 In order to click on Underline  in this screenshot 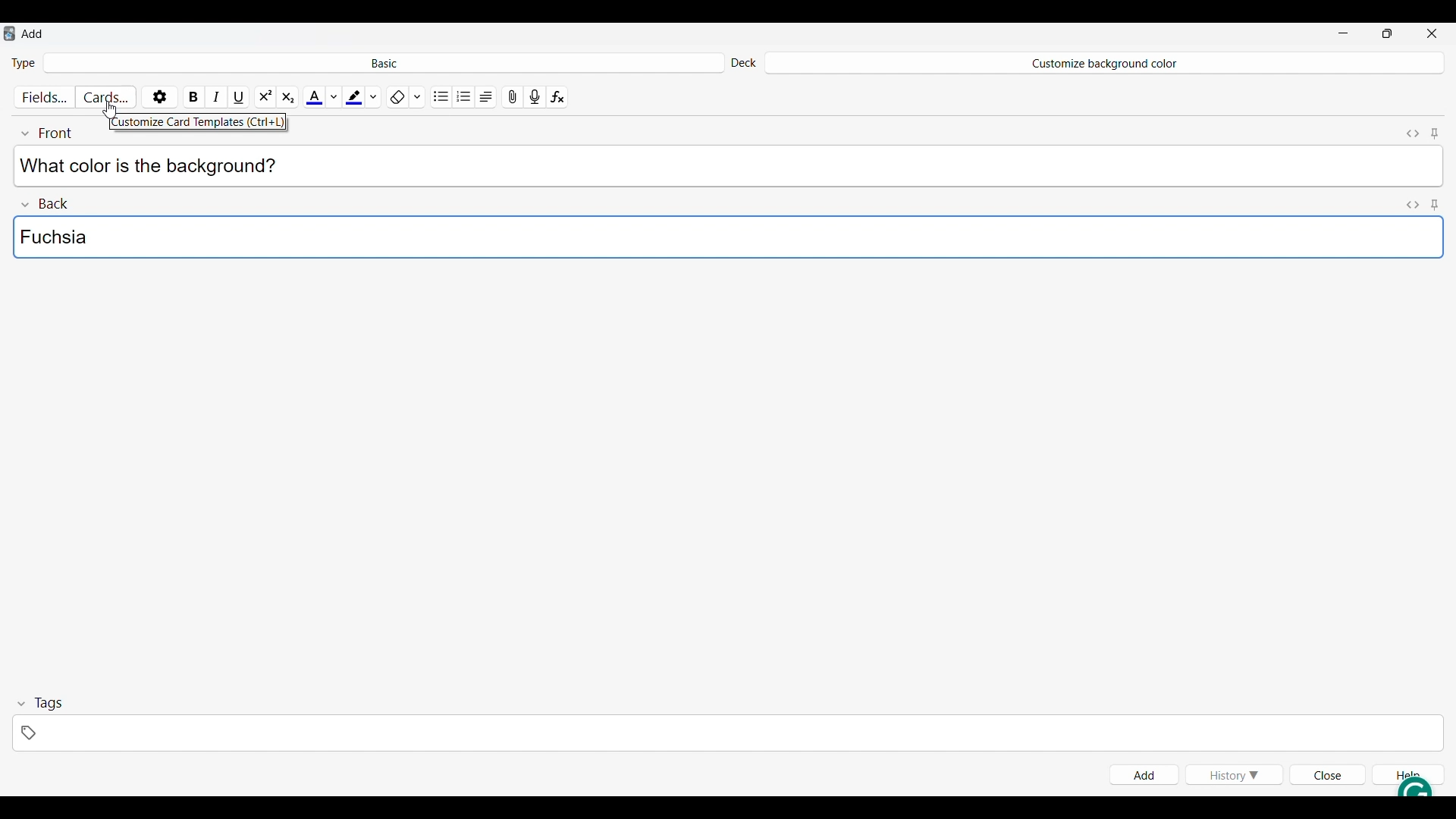, I will do `click(240, 94)`.